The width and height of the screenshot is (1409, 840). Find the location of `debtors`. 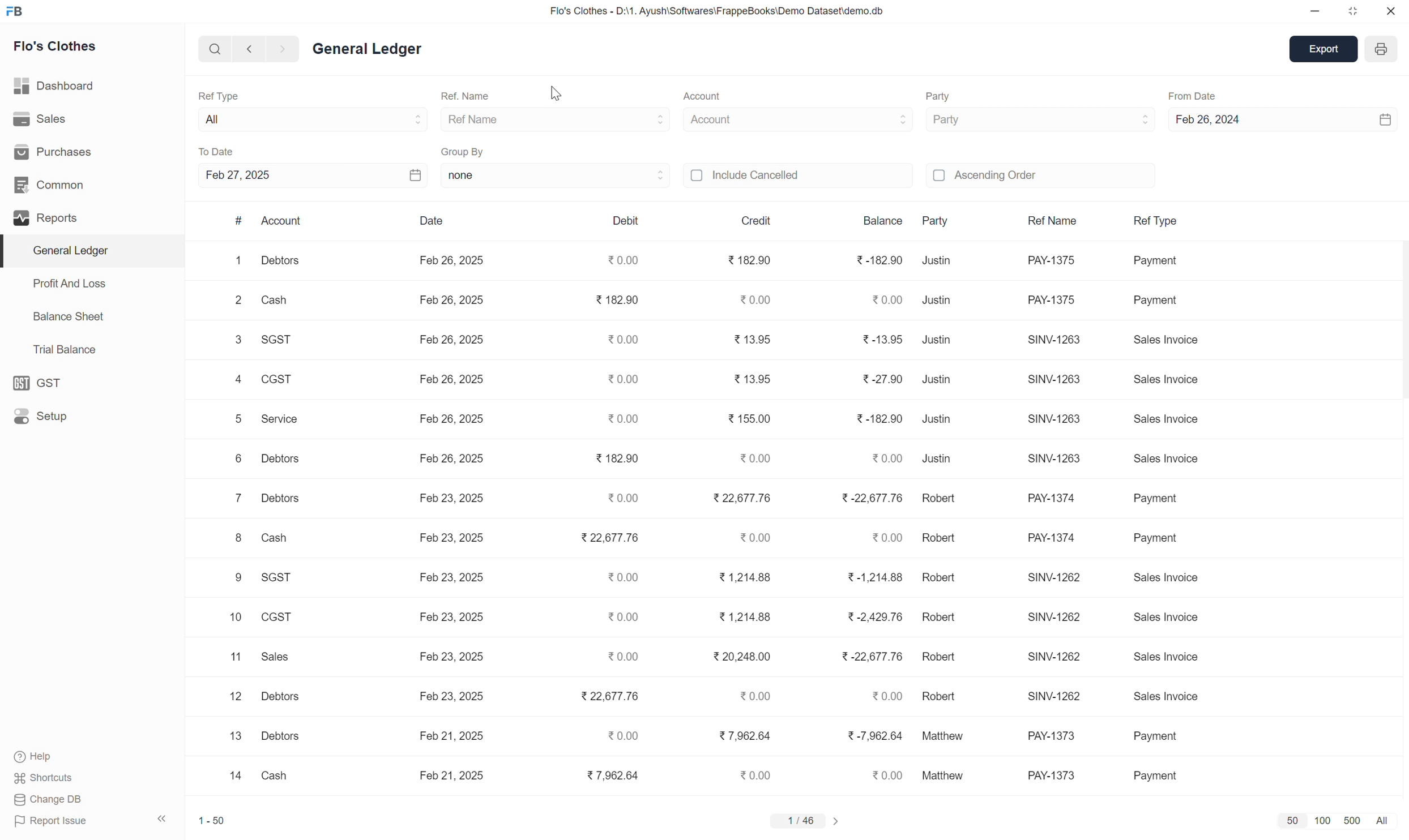

debtors is located at coordinates (278, 697).